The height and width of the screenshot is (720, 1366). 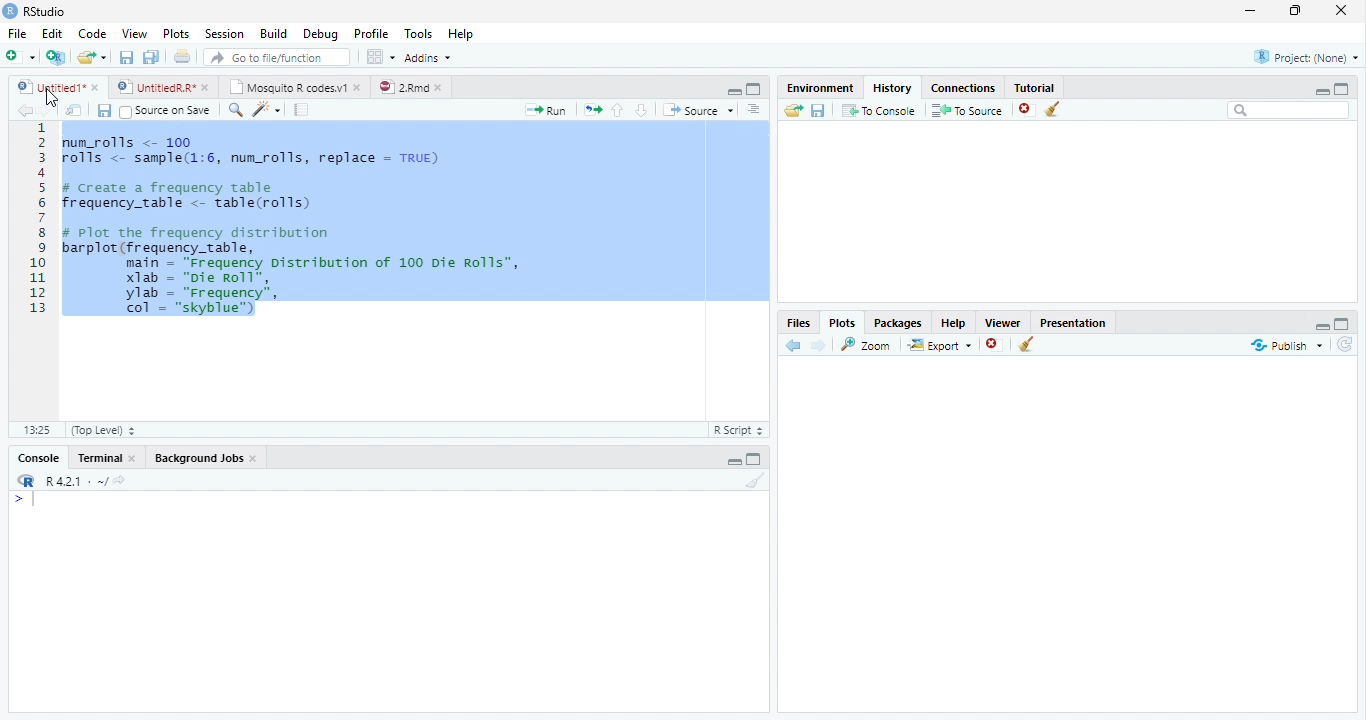 I want to click on R Script, so click(x=739, y=430).